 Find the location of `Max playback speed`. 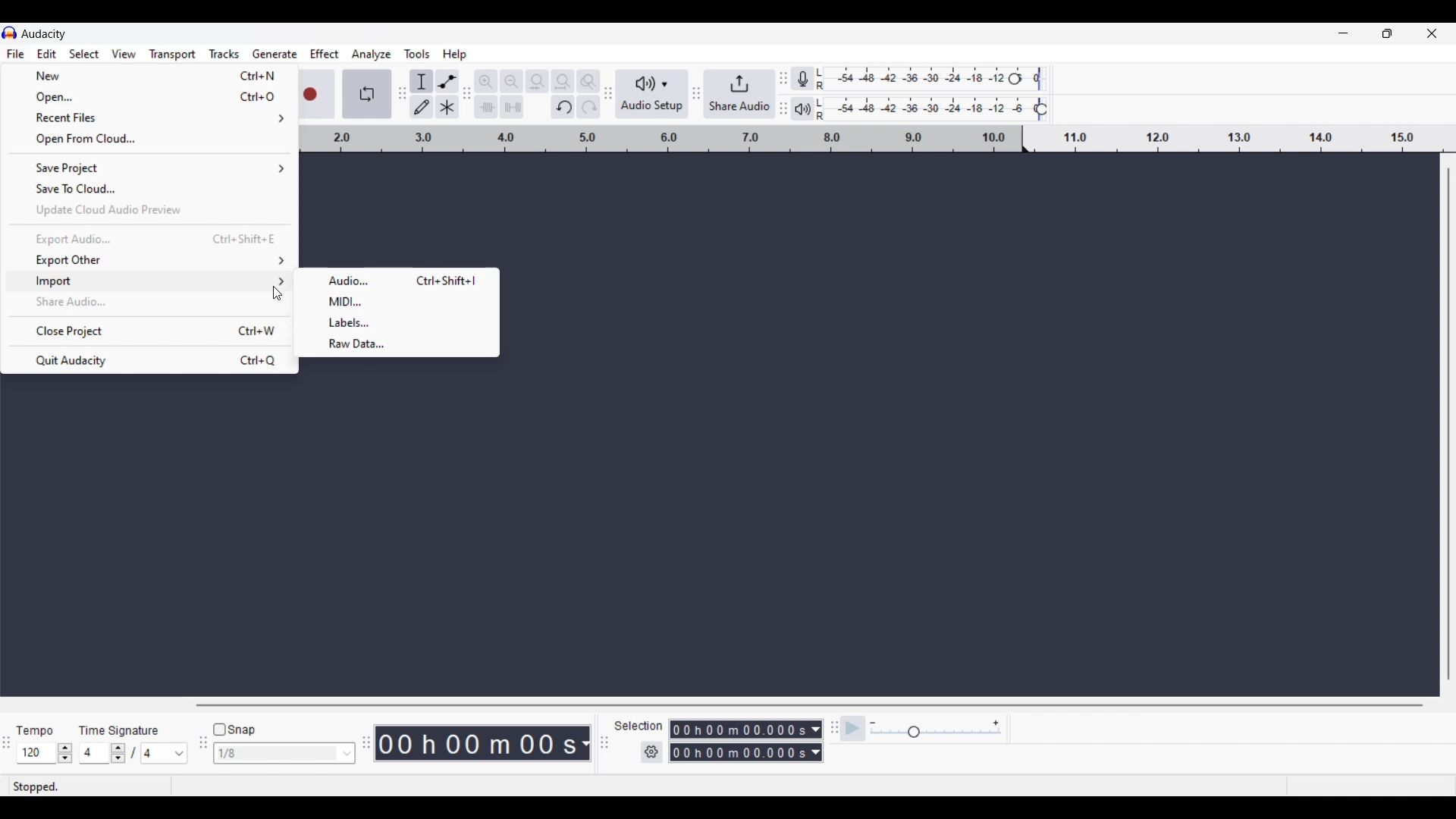

Max playback speed is located at coordinates (996, 723).